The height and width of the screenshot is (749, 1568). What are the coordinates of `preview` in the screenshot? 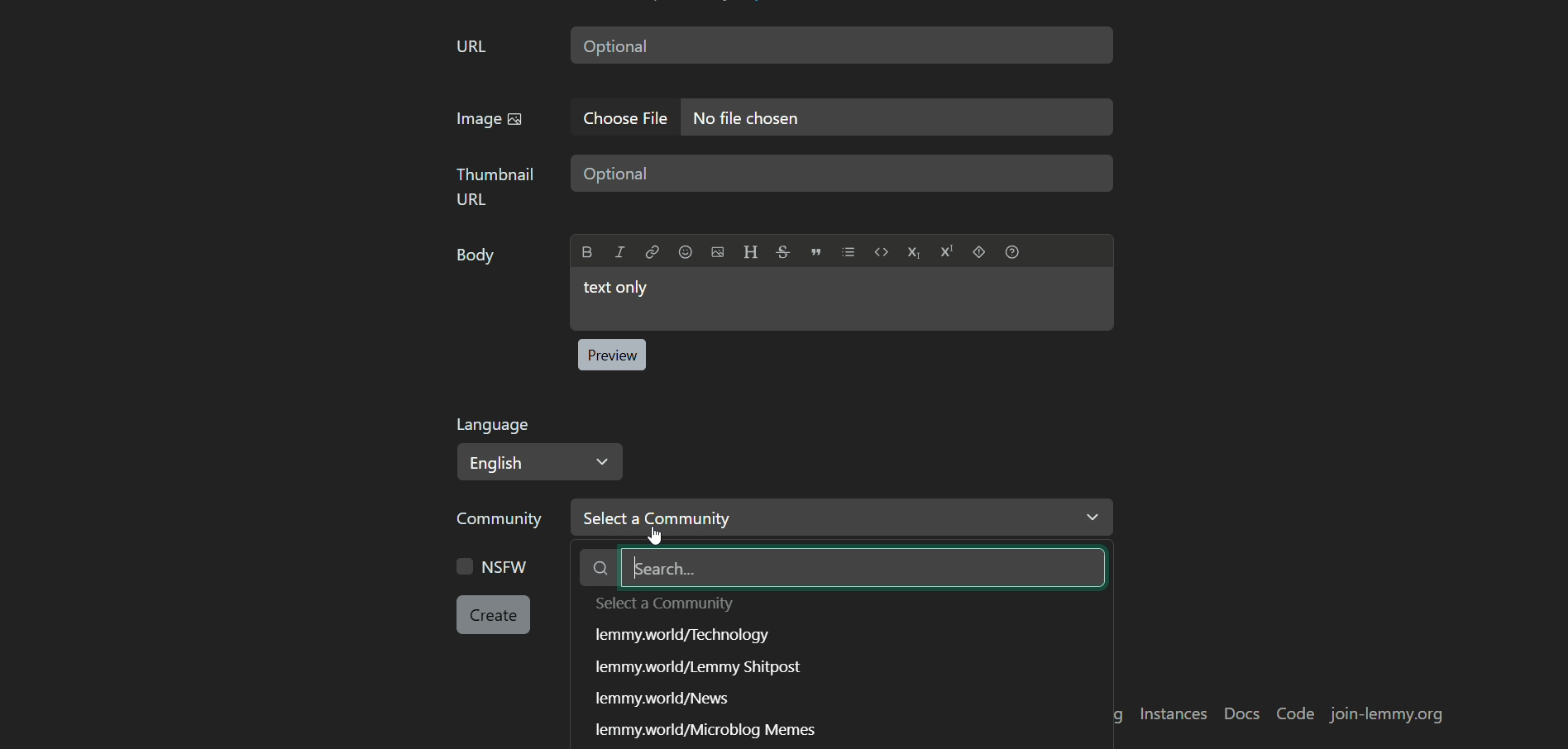 It's located at (611, 355).